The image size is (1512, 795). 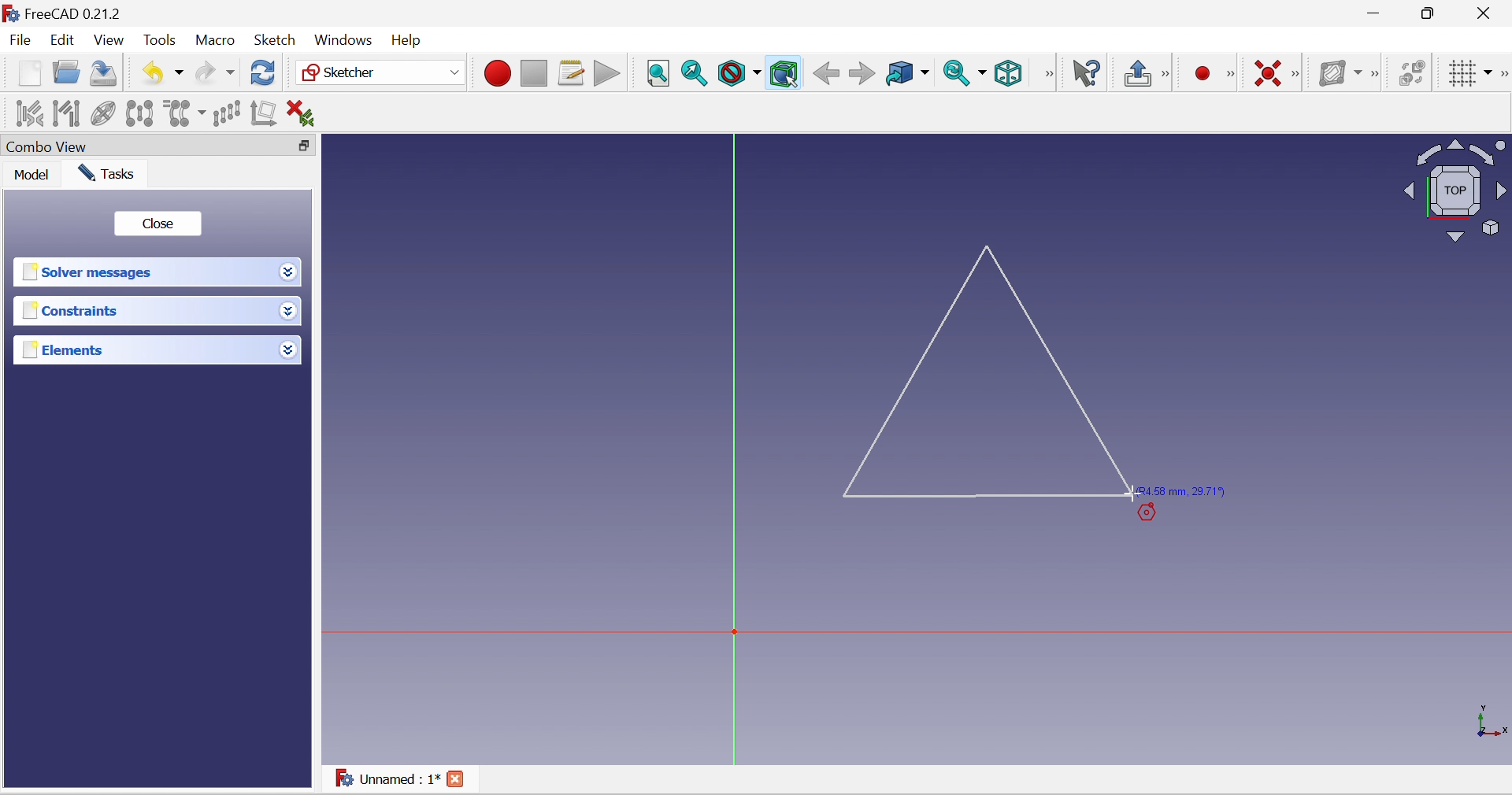 I want to click on Triangle, so click(x=986, y=368).